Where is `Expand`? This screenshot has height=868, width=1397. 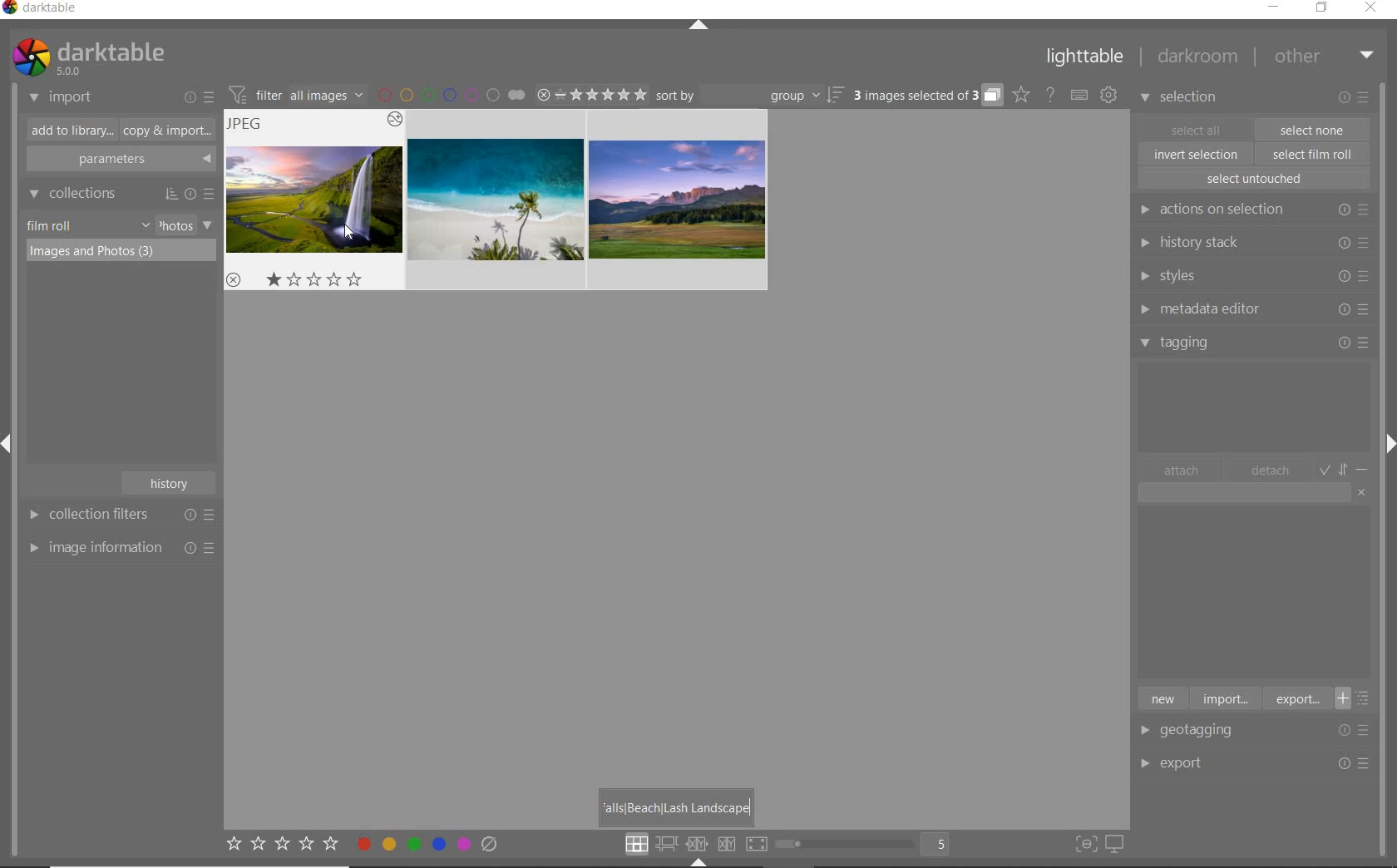
Expand is located at coordinates (1387, 440).